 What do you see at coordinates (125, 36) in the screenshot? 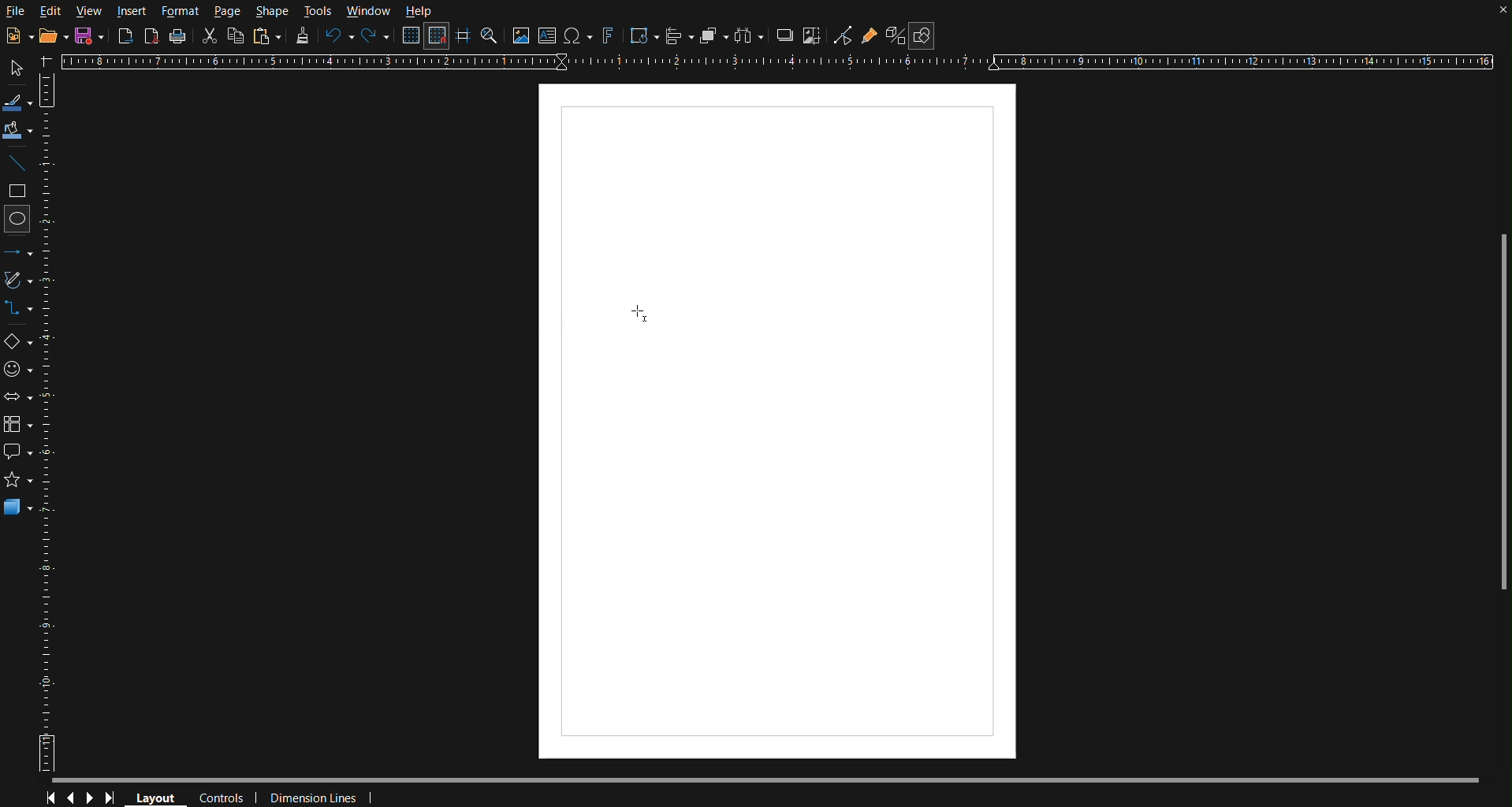
I see `Export` at bounding box center [125, 36].